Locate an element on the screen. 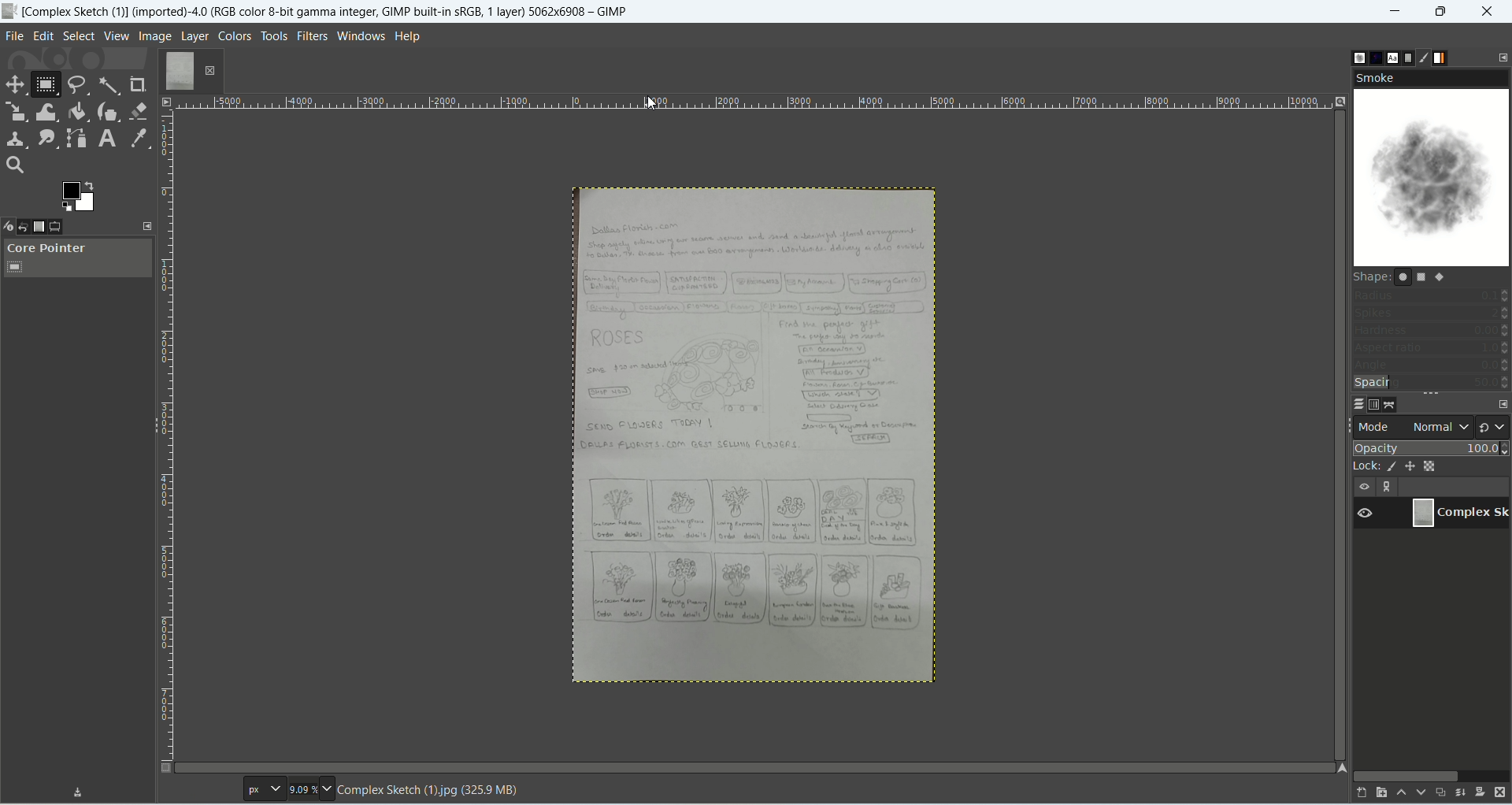 This screenshot has height=805, width=1512. cursor is located at coordinates (20, 47).